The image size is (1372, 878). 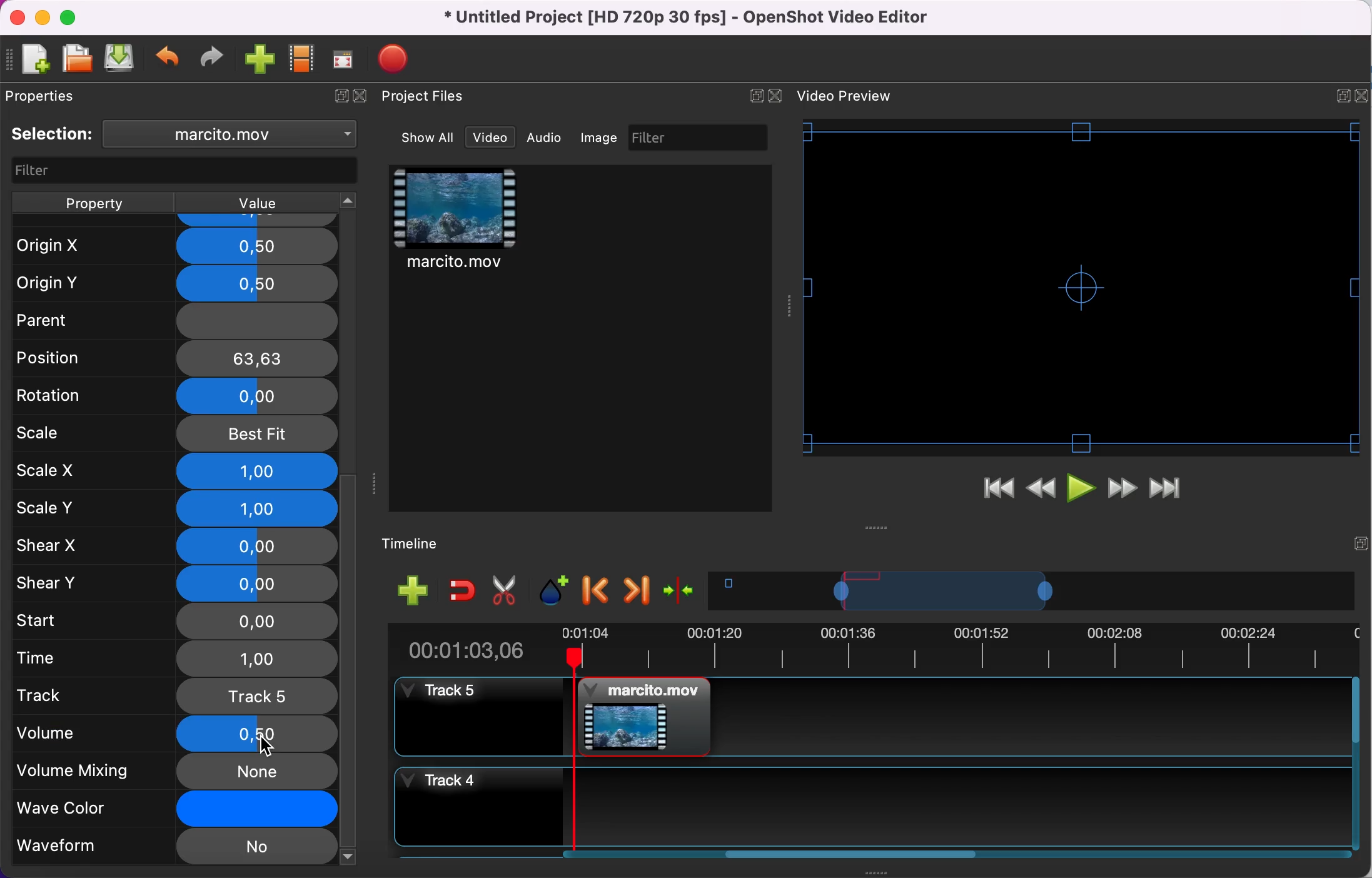 What do you see at coordinates (76, 59) in the screenshot?
I see `open file` at bounding box center [76, 59].